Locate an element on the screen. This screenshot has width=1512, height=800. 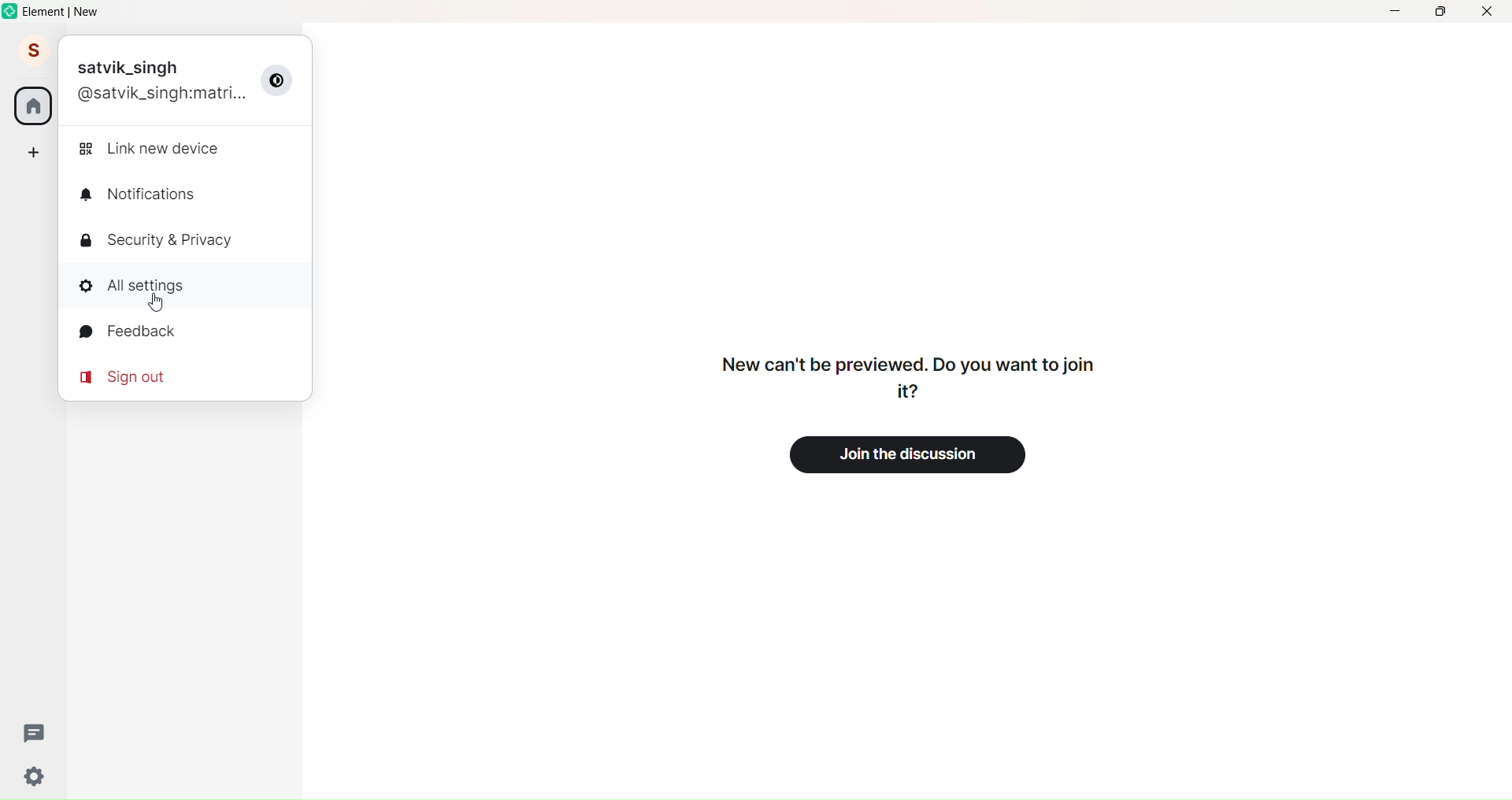
Logo is located at coordinates (9, 13).